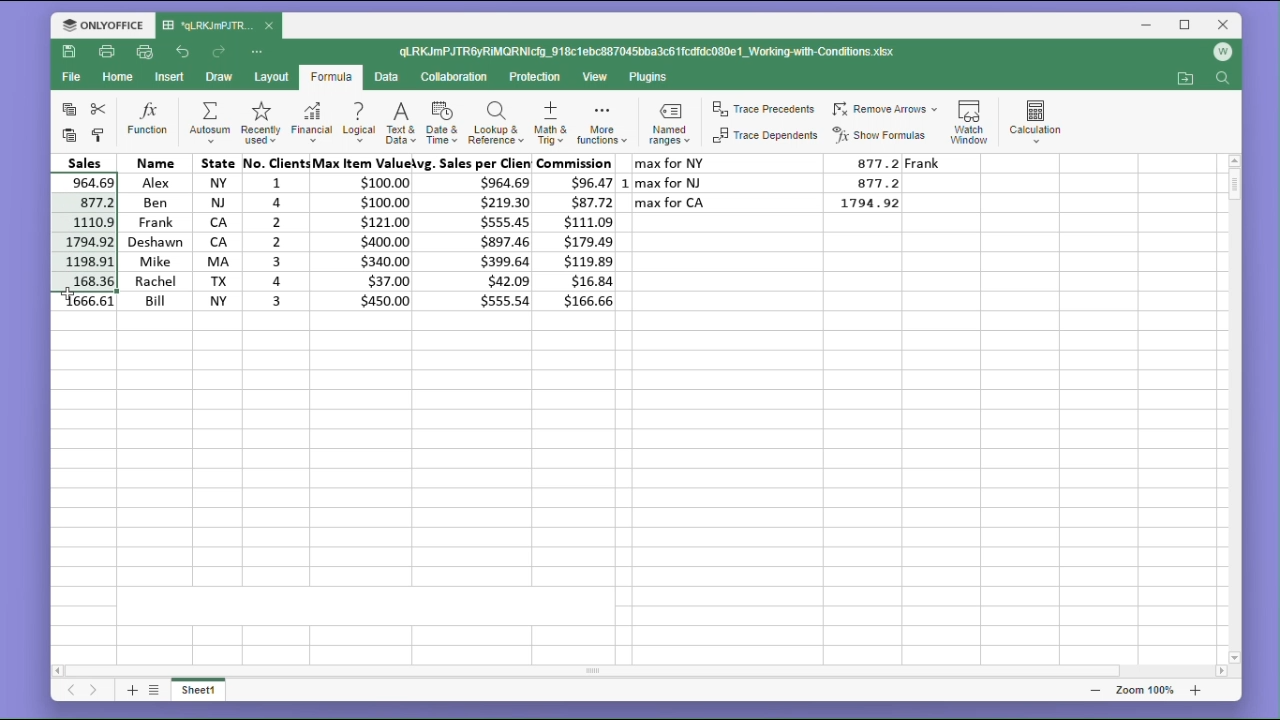 The width and height of the screenshot is (1280, 720). Describe the element at coordinates (1186, 24) in the screenshot. I see `maximize` at that location.